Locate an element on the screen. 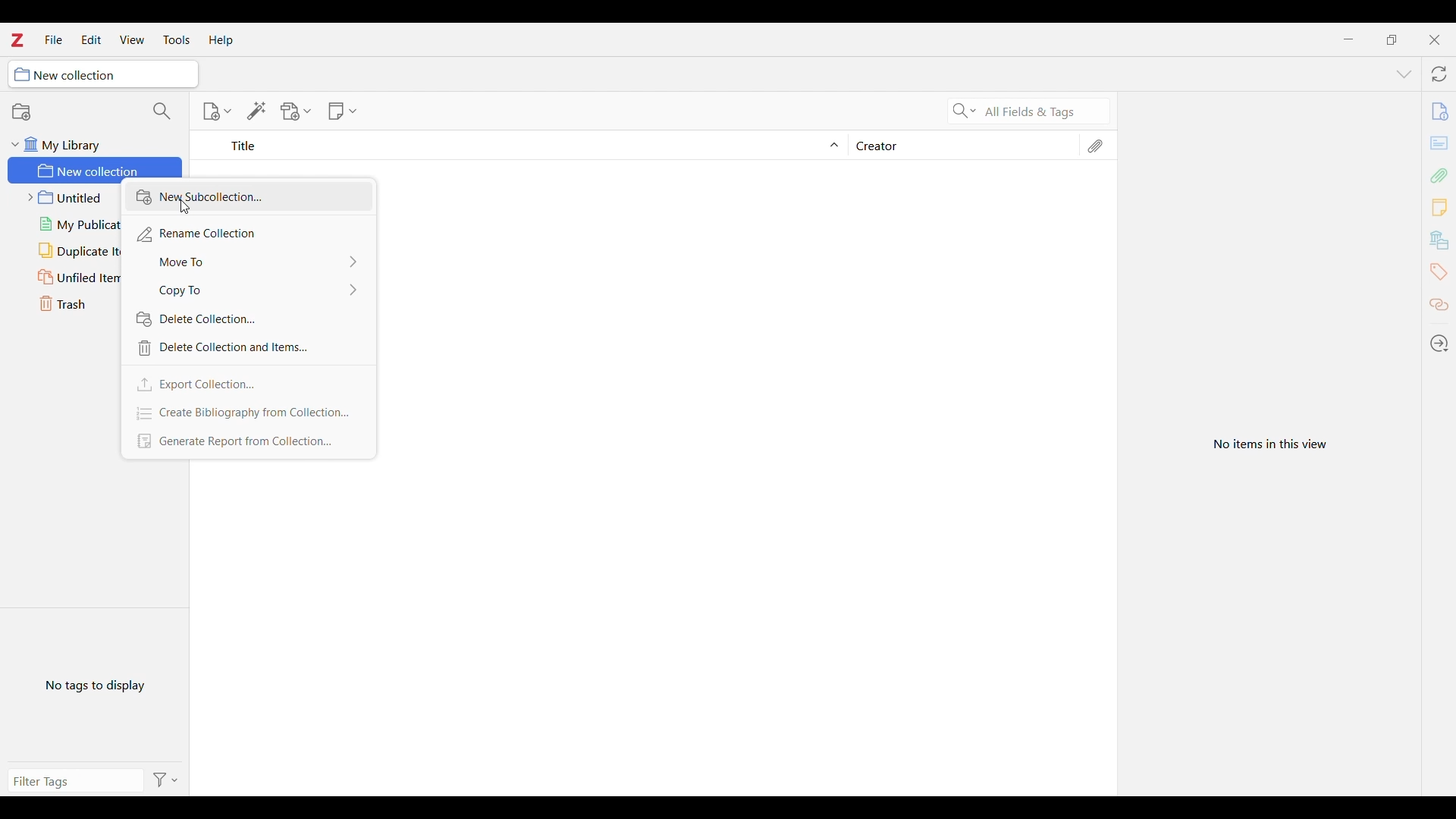  Help menu is located at coordinates (221, 40).